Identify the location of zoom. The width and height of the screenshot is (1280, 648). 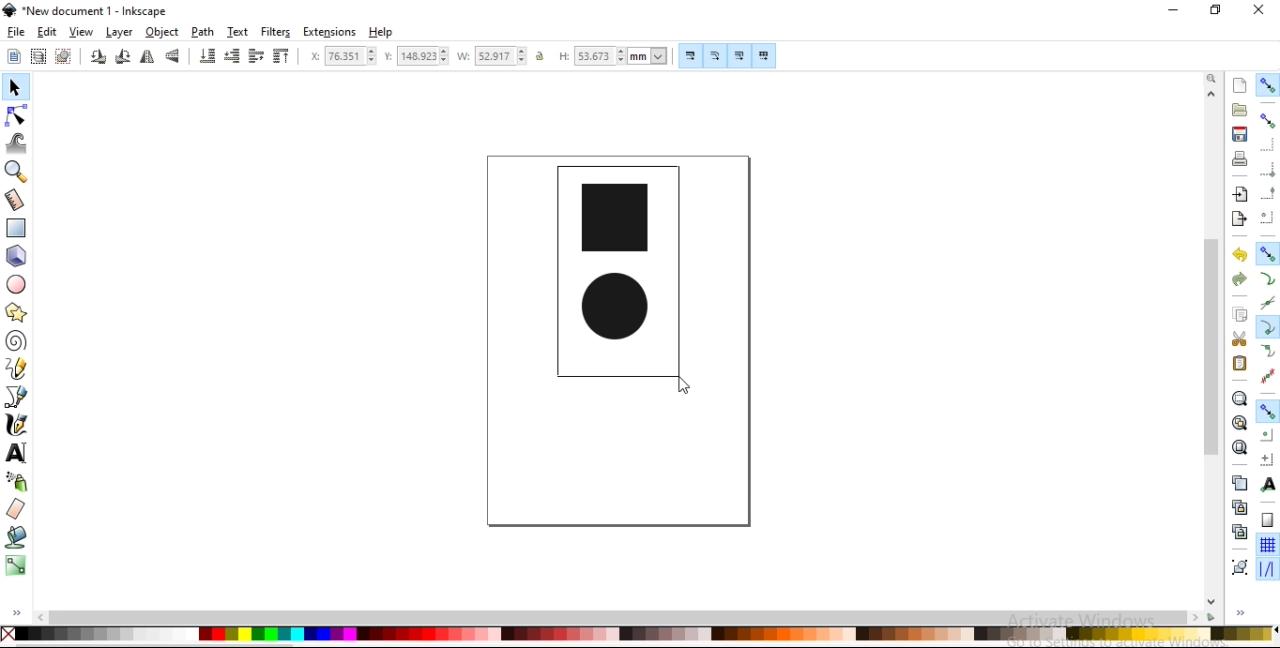
(1214, 79).